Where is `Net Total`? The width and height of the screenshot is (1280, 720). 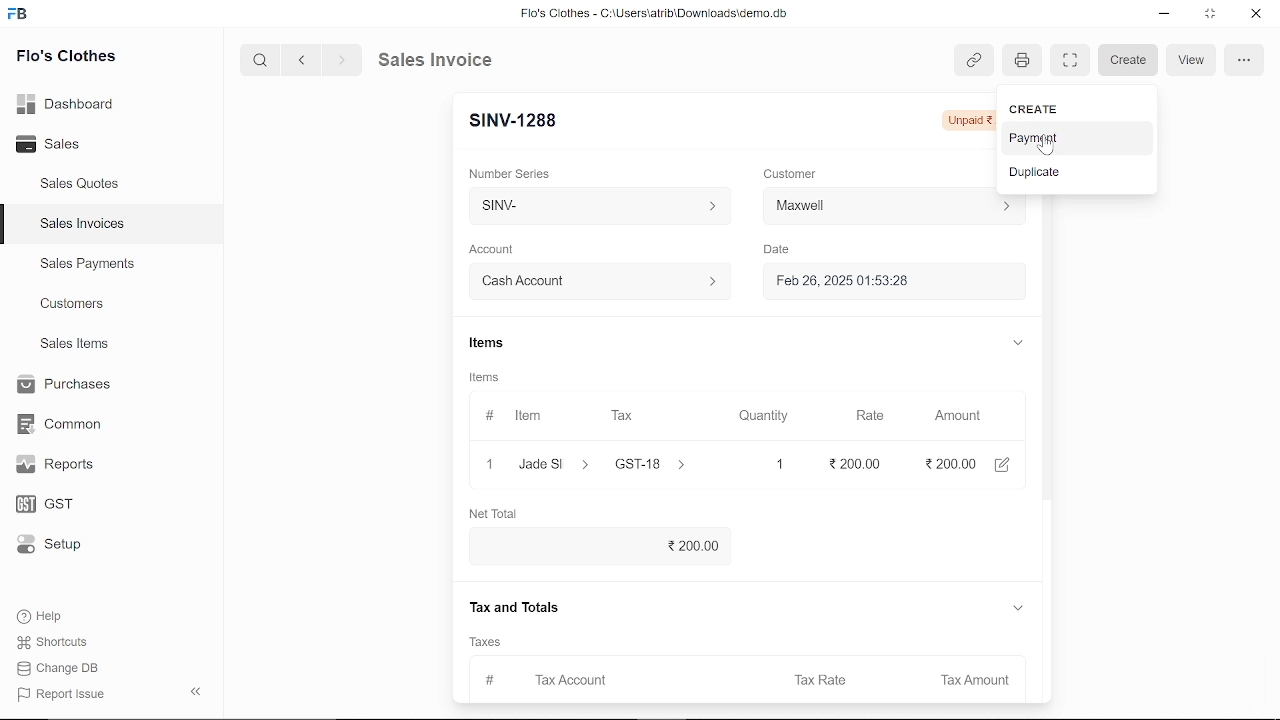
Net Total is located at coordinates (499, 512).